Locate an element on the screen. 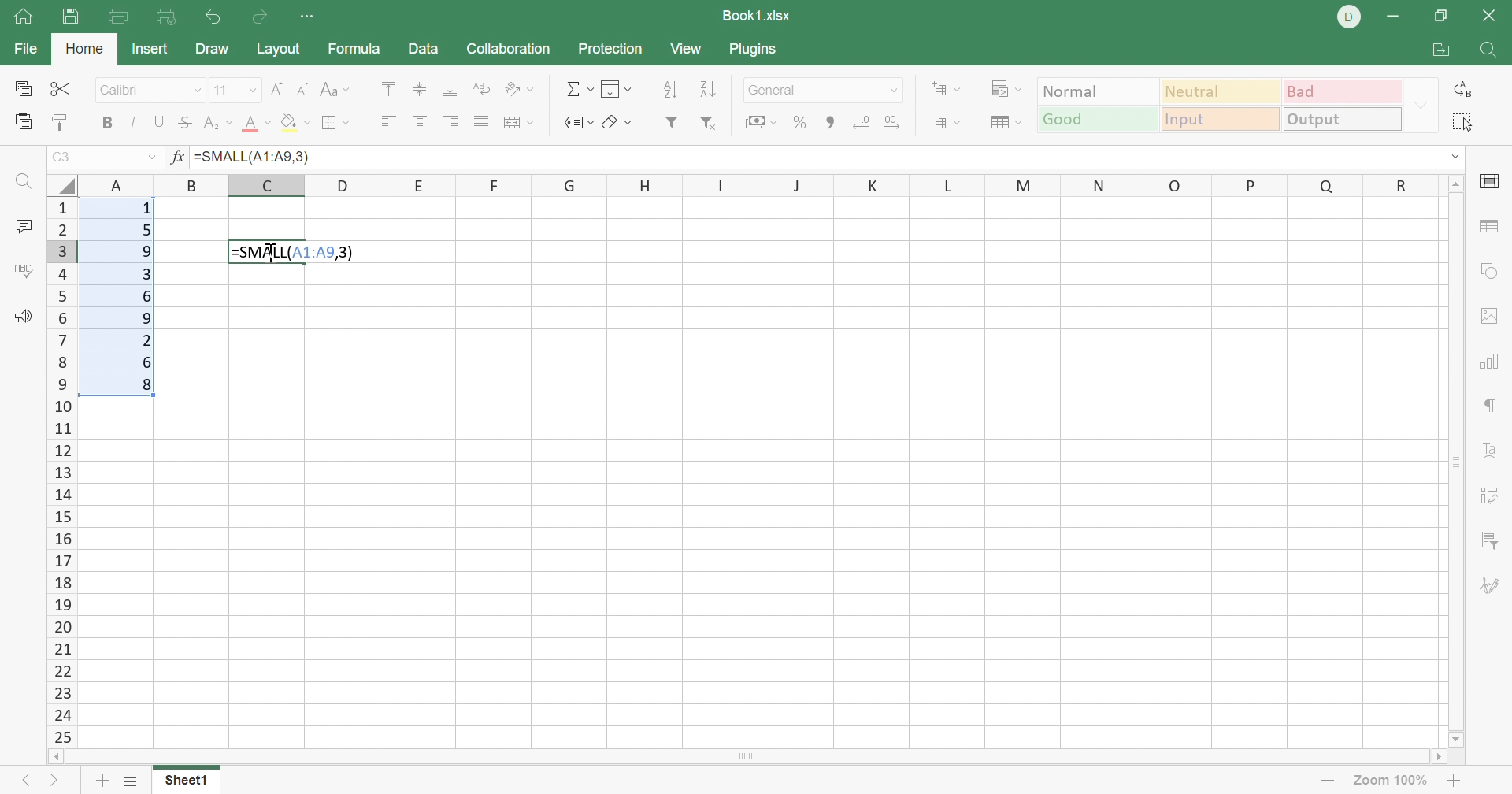 The width and height of the screenshot is (1512, 794). Orientation is located at coordinates (517, 91).